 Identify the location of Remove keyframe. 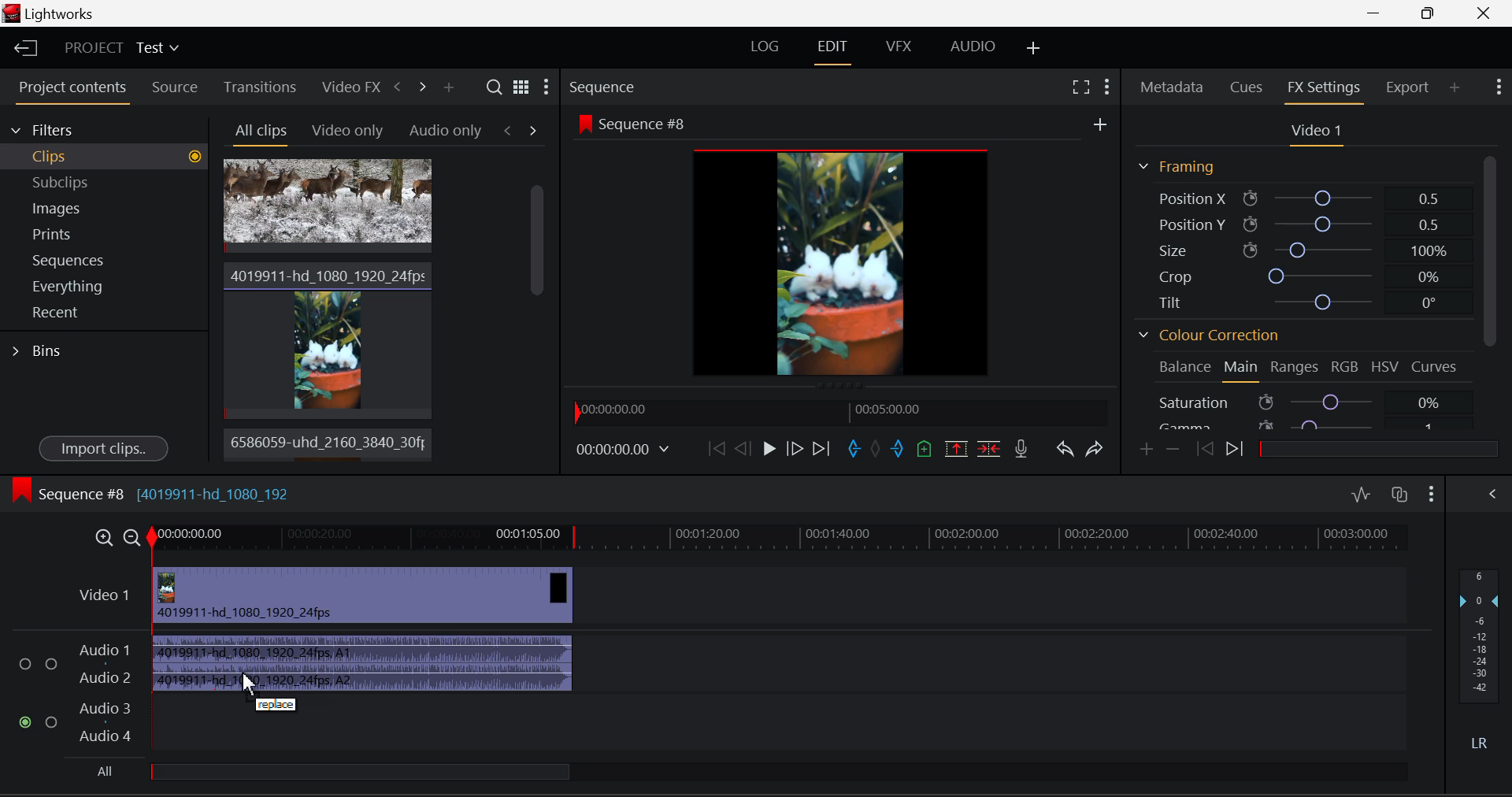
(1173, 450).